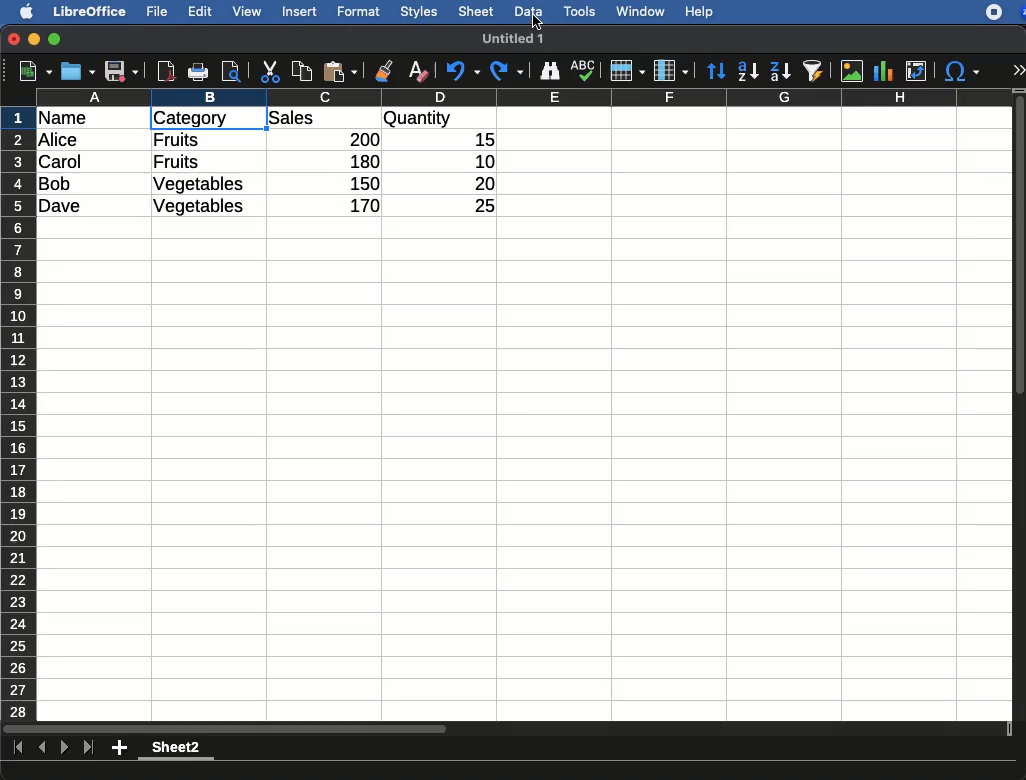 Image resolution: width=1026 pixels, height=780 pixels. Describe the element at coordinates (77, 163) in the screenshot. I see `Carol` at that location.